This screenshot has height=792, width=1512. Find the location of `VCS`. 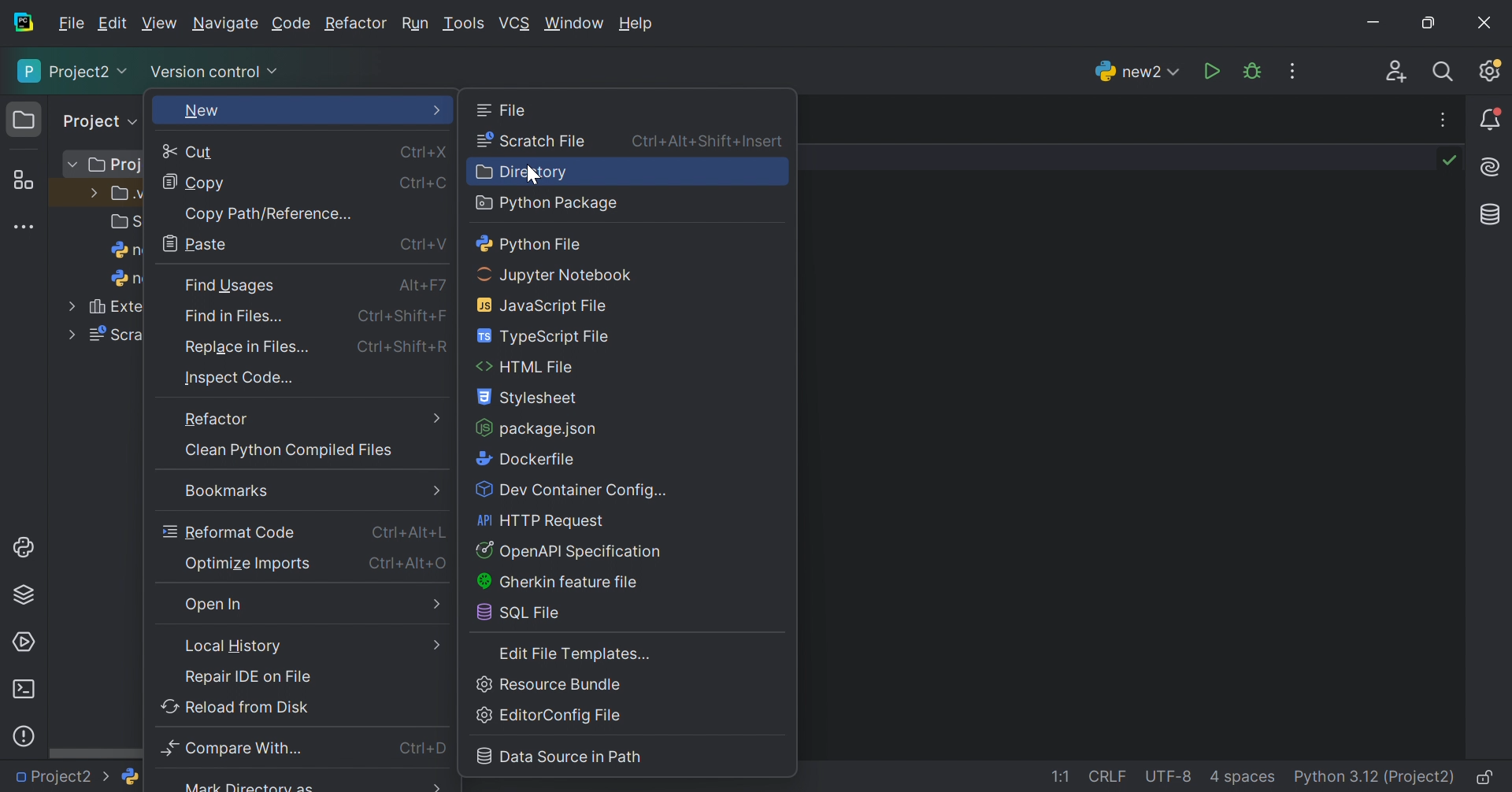

VCS is located at coordinates (514, 23).